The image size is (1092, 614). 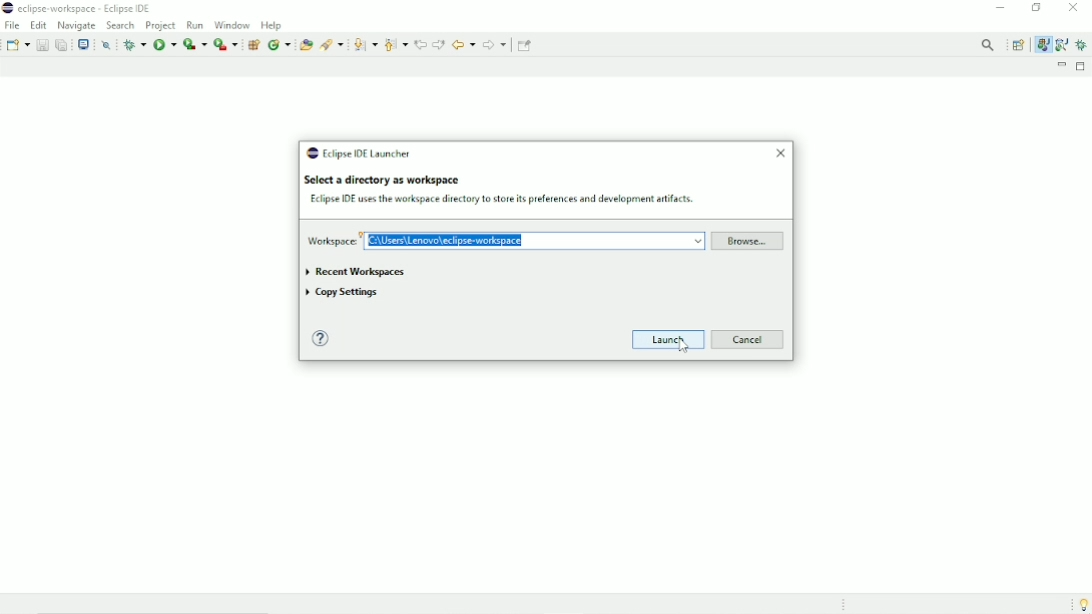 I want to click on Back, so click(x=463, y=43).